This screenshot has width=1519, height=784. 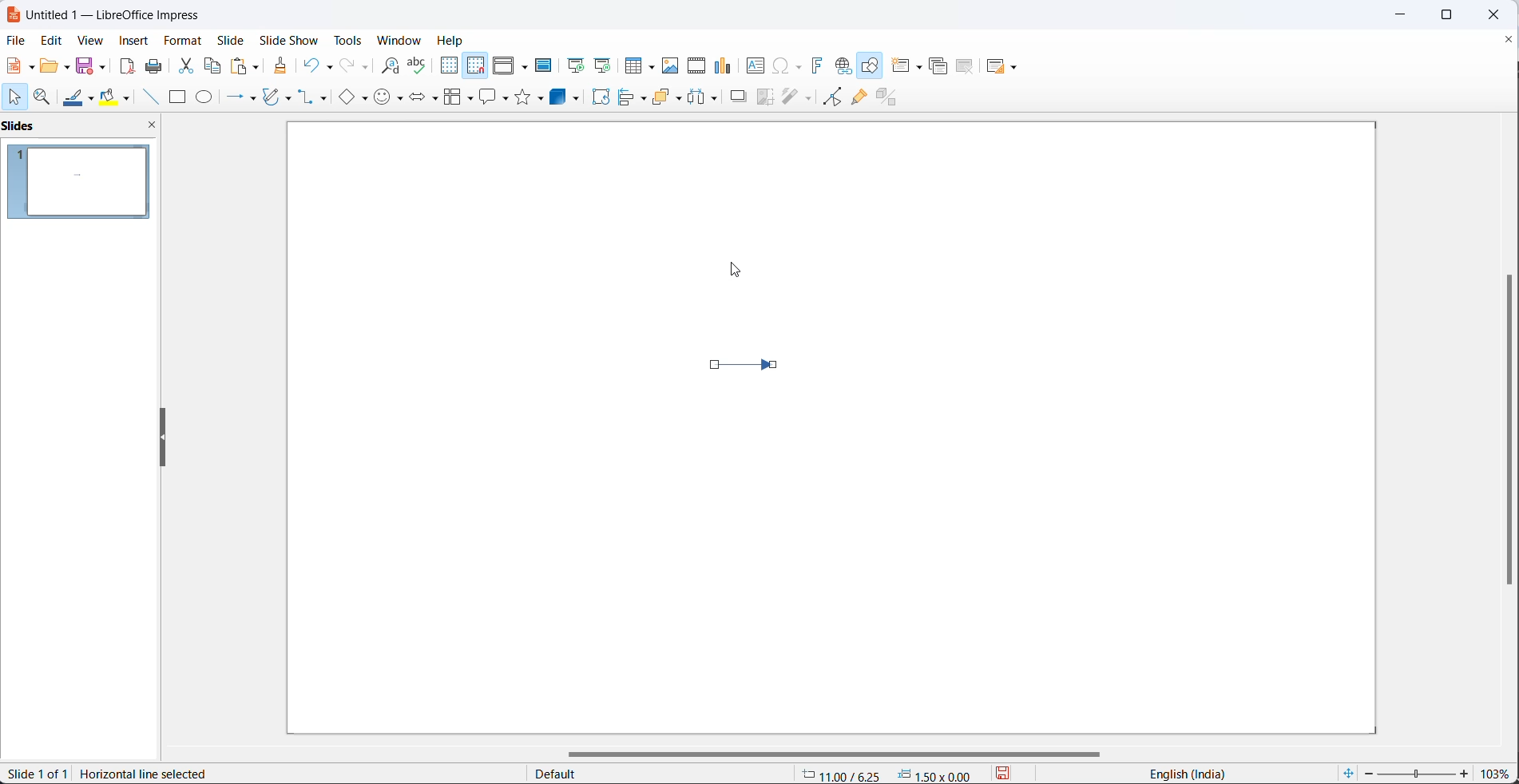 What do you see at coordinates (1009, 774) in the screenshot?
I see `save` at bounding box center [1009, 774].